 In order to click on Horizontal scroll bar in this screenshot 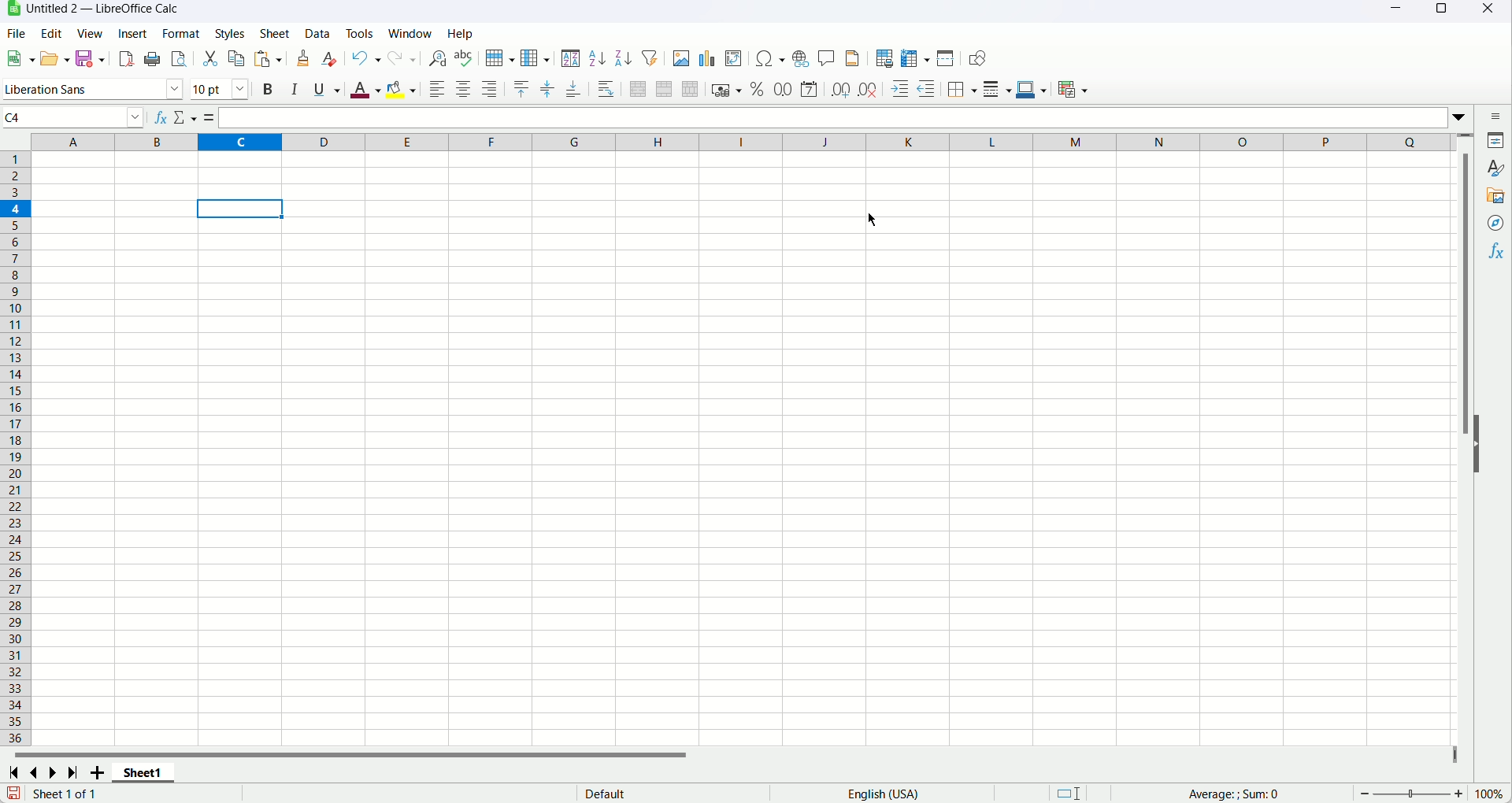, I will do `click(731, 757)`.